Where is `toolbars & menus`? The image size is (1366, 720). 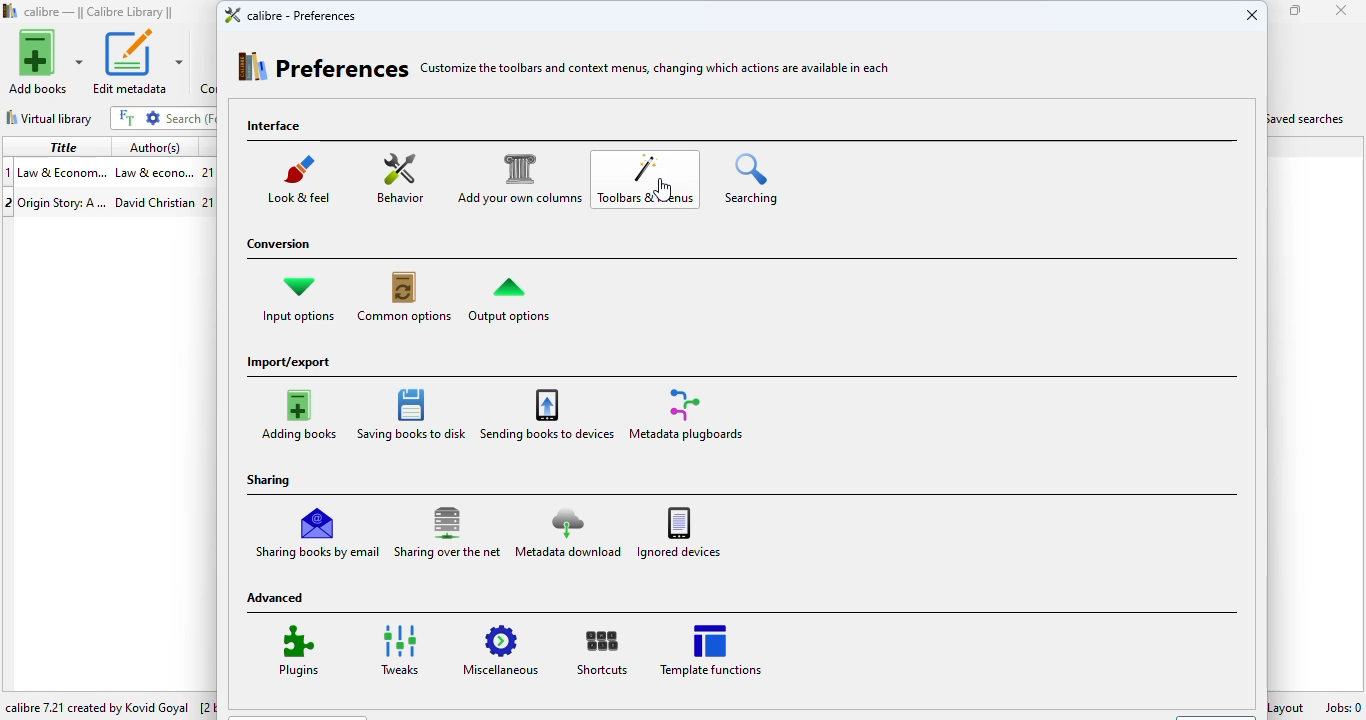 toolbars & menus is located at coordinates (647, 181).